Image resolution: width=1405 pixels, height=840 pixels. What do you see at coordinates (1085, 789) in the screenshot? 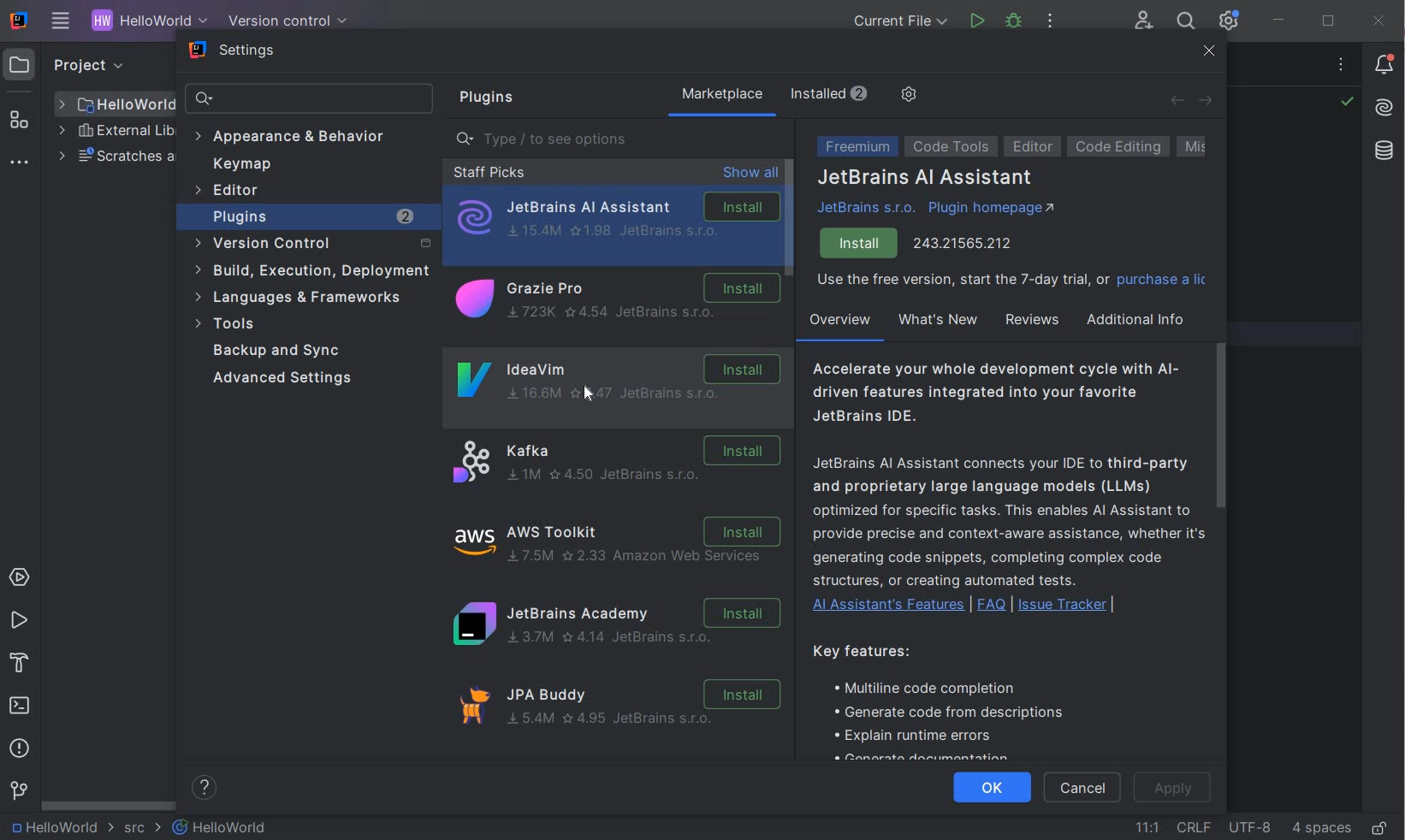
I see `CANEL` at bounding box center [1085, 789].